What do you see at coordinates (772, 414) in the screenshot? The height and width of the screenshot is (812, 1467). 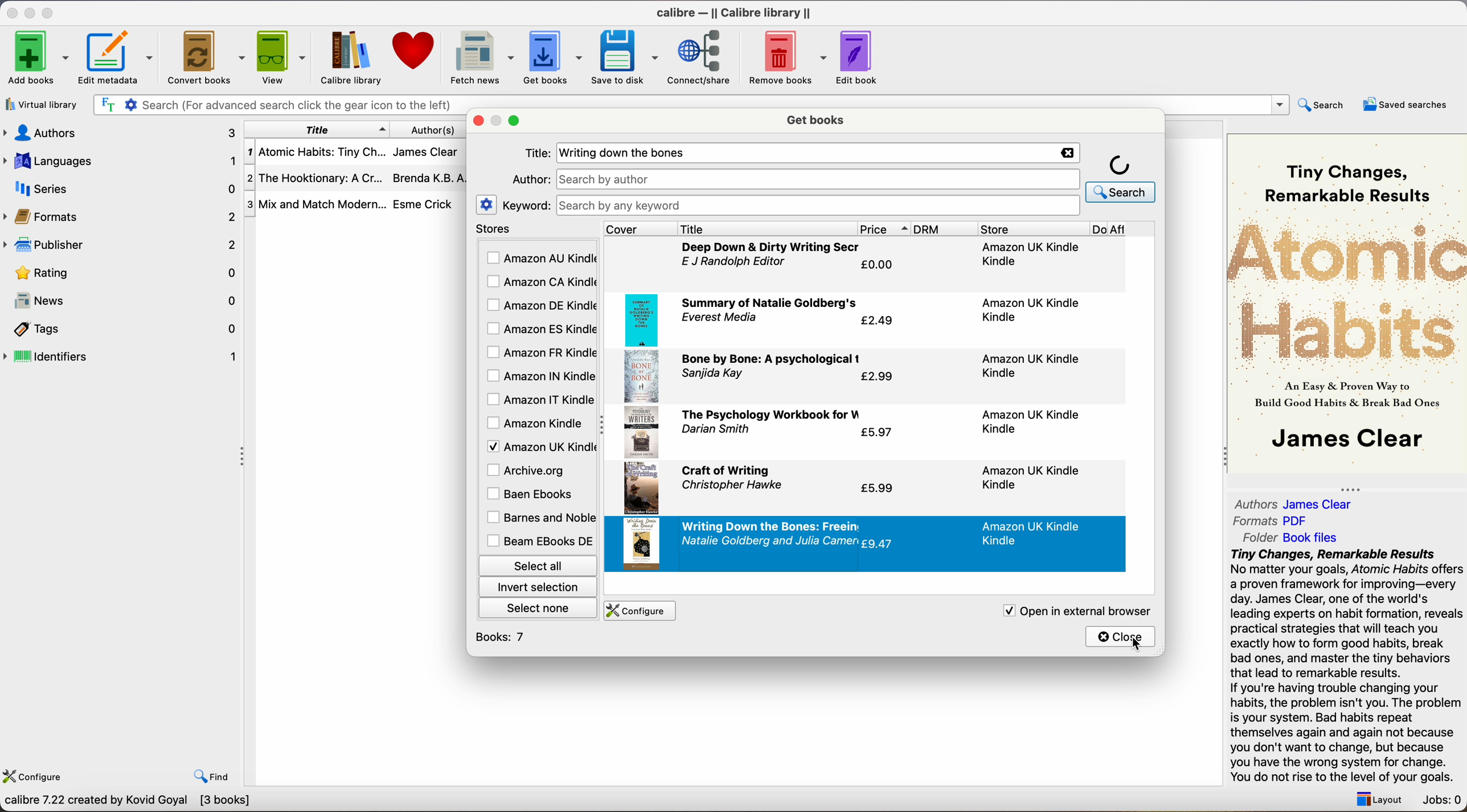 I see `the psychology workbook for` at bounding box center [772, 414].